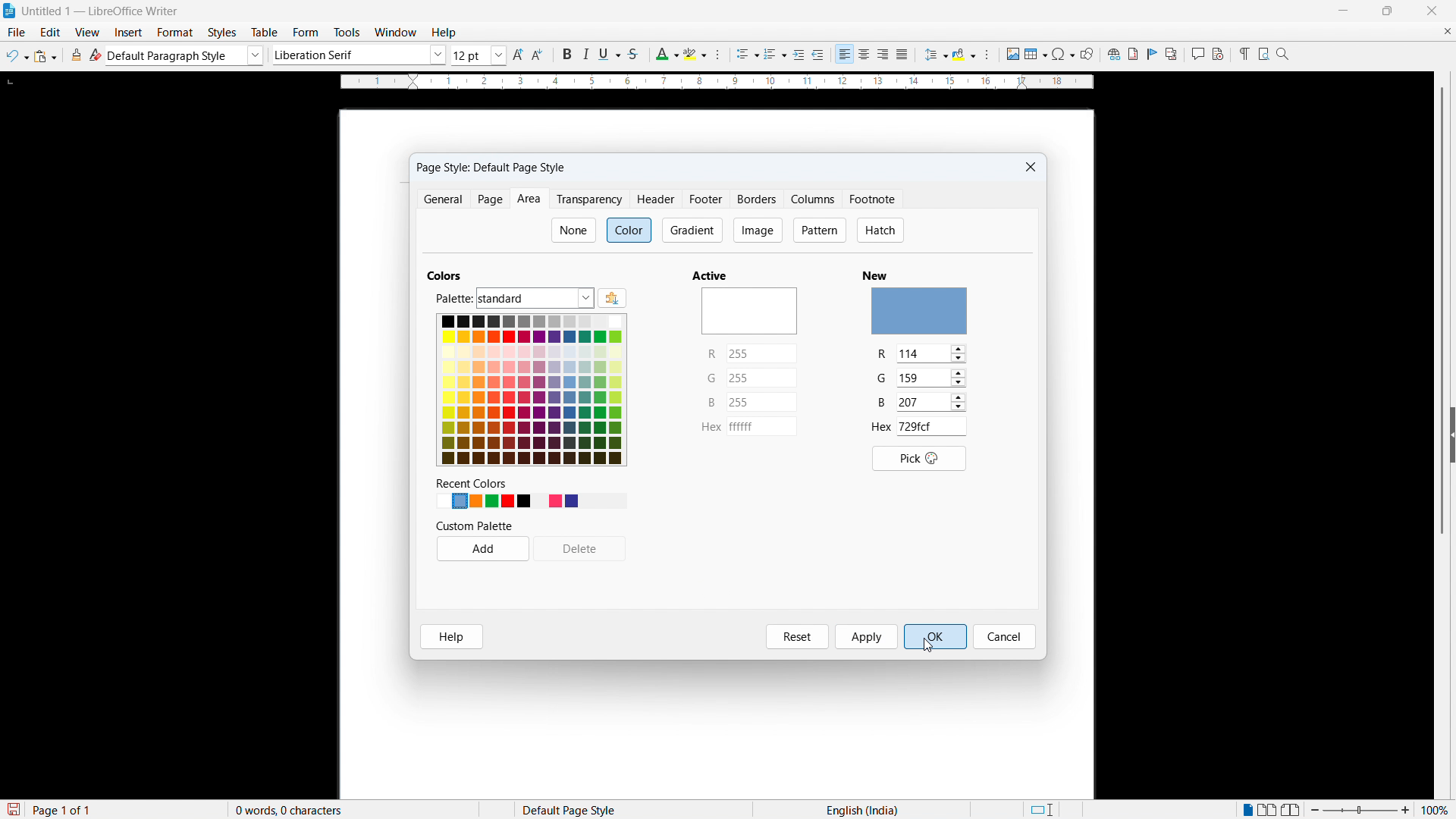 Image resolution: width=1456 pixels, height=819 pixels. What do you see at coordinates (1040, 810) in the screenshot?
I see `Standard selection ` at bounding box center [1040, 810].